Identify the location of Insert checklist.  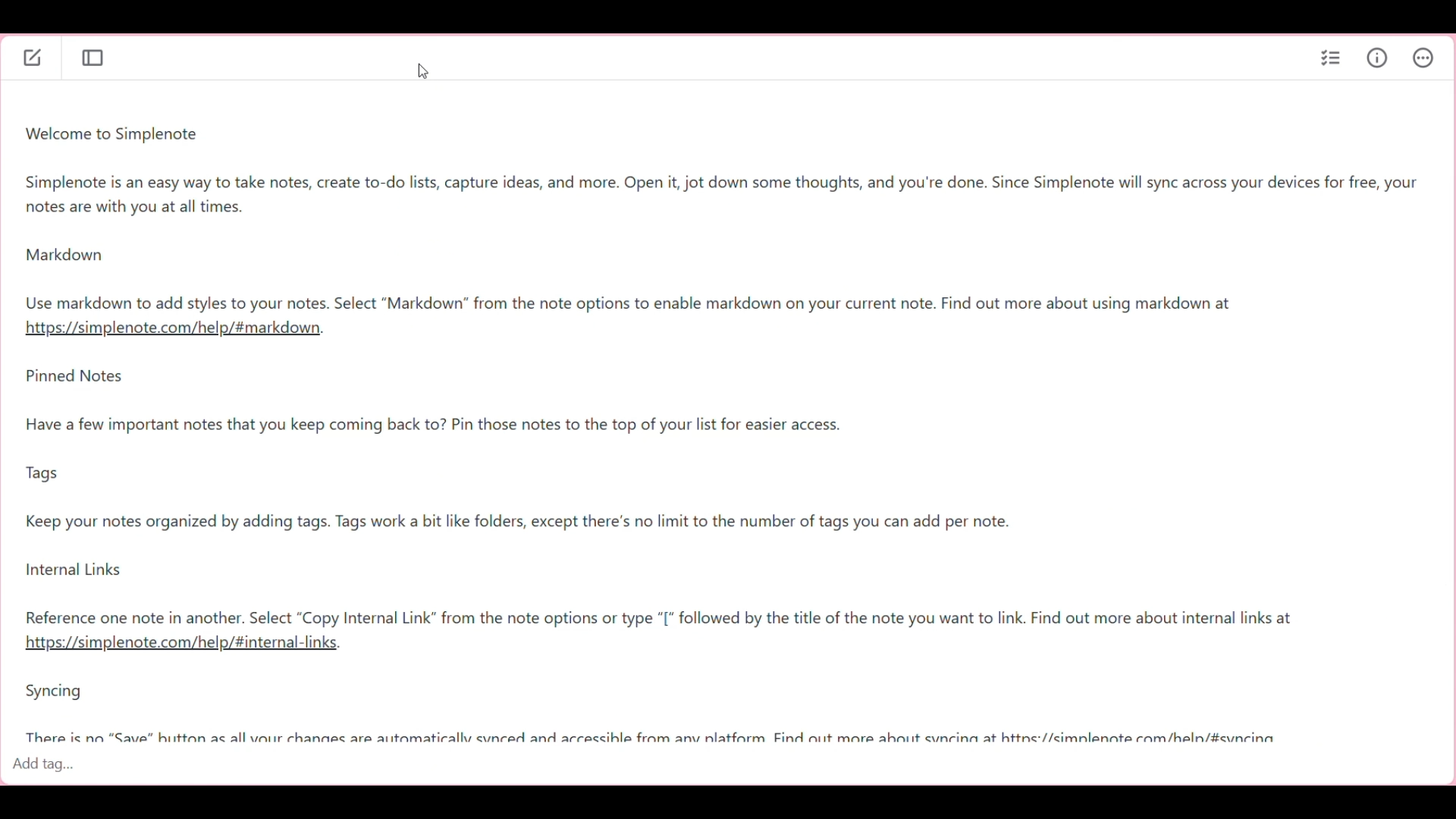
(1331, 59).